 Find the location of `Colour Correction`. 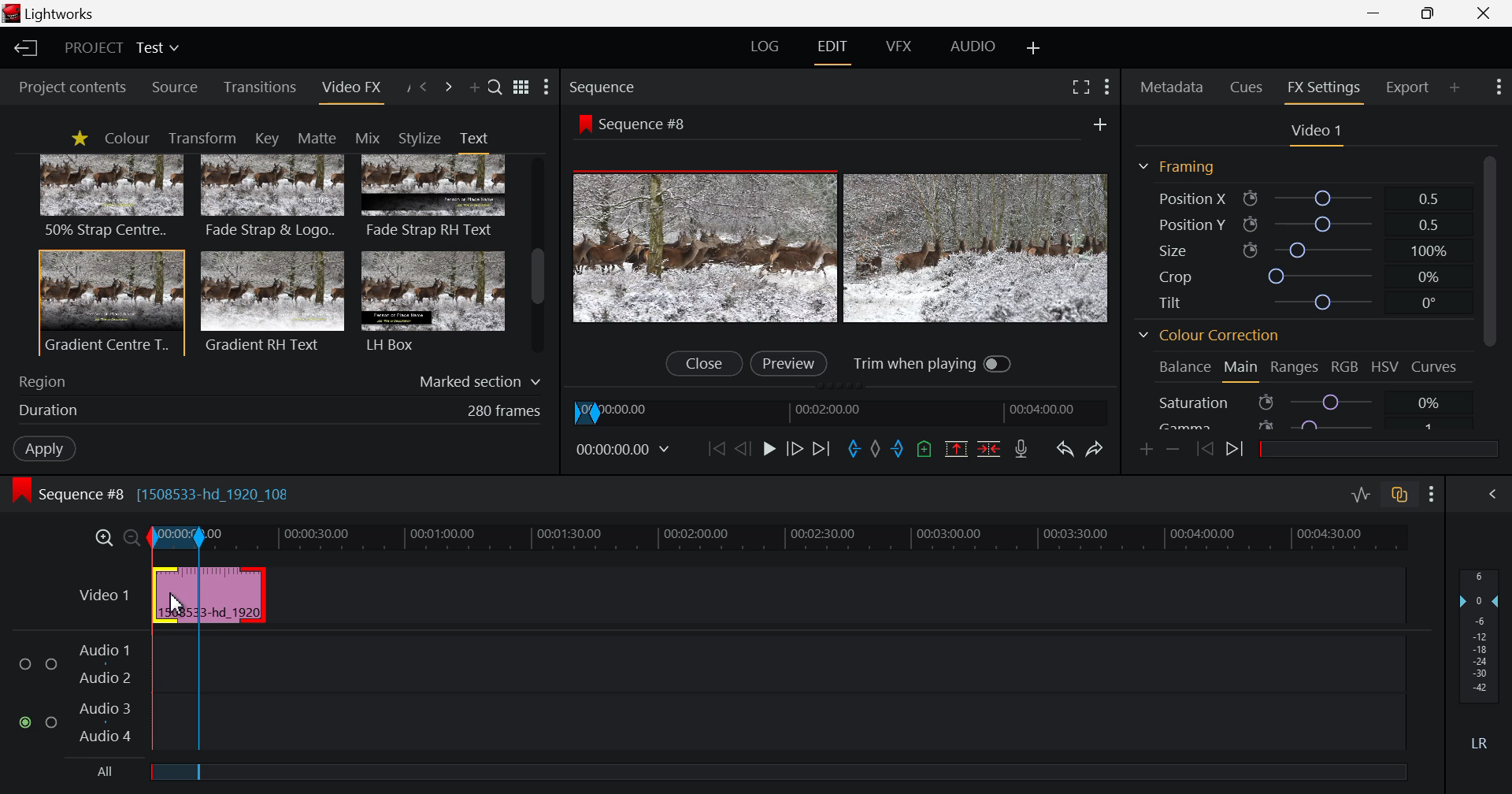

Colour Correction is located at coordinates (1214, 338).